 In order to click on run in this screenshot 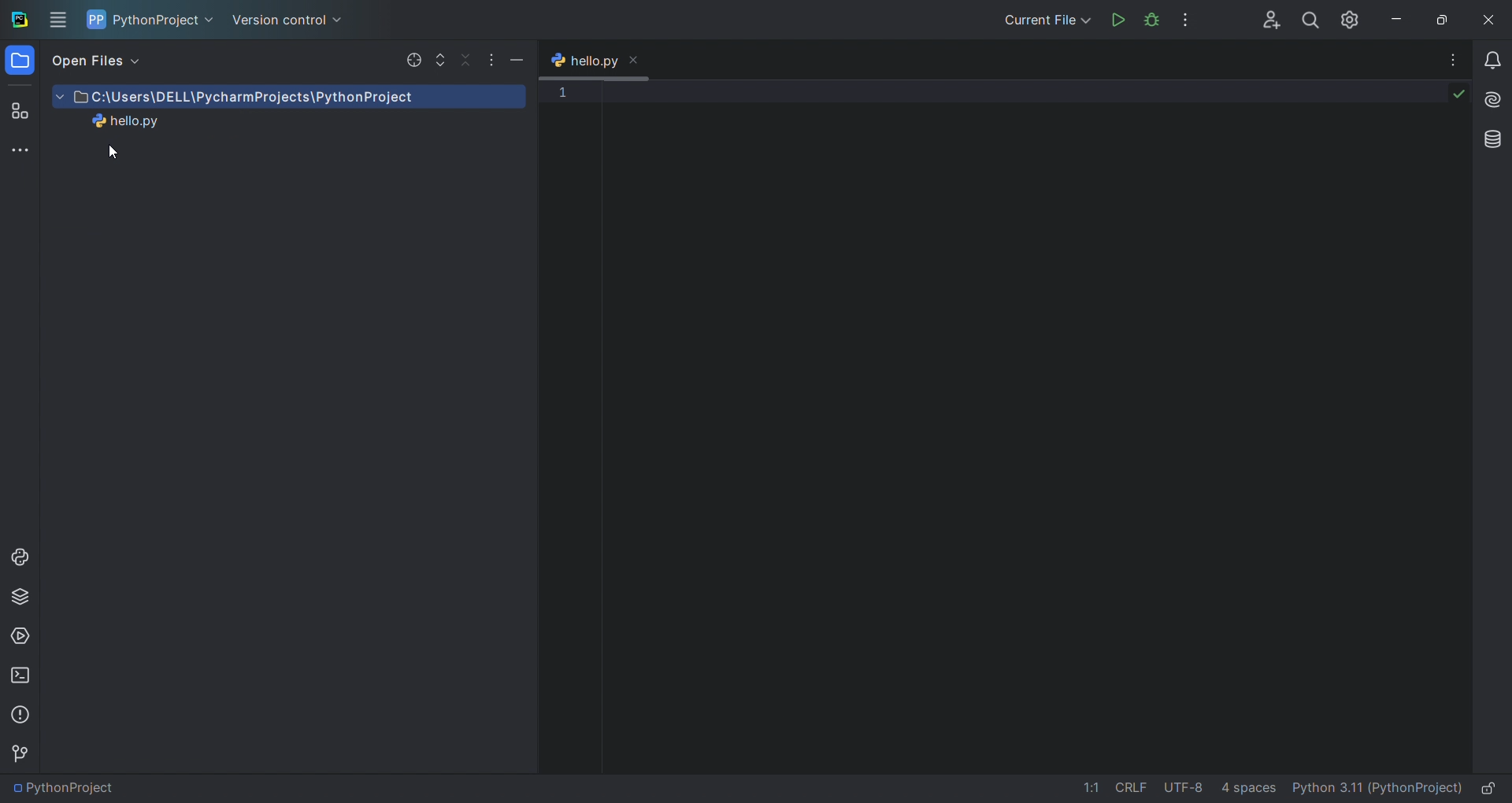, I will do `click(1118, 22)`.